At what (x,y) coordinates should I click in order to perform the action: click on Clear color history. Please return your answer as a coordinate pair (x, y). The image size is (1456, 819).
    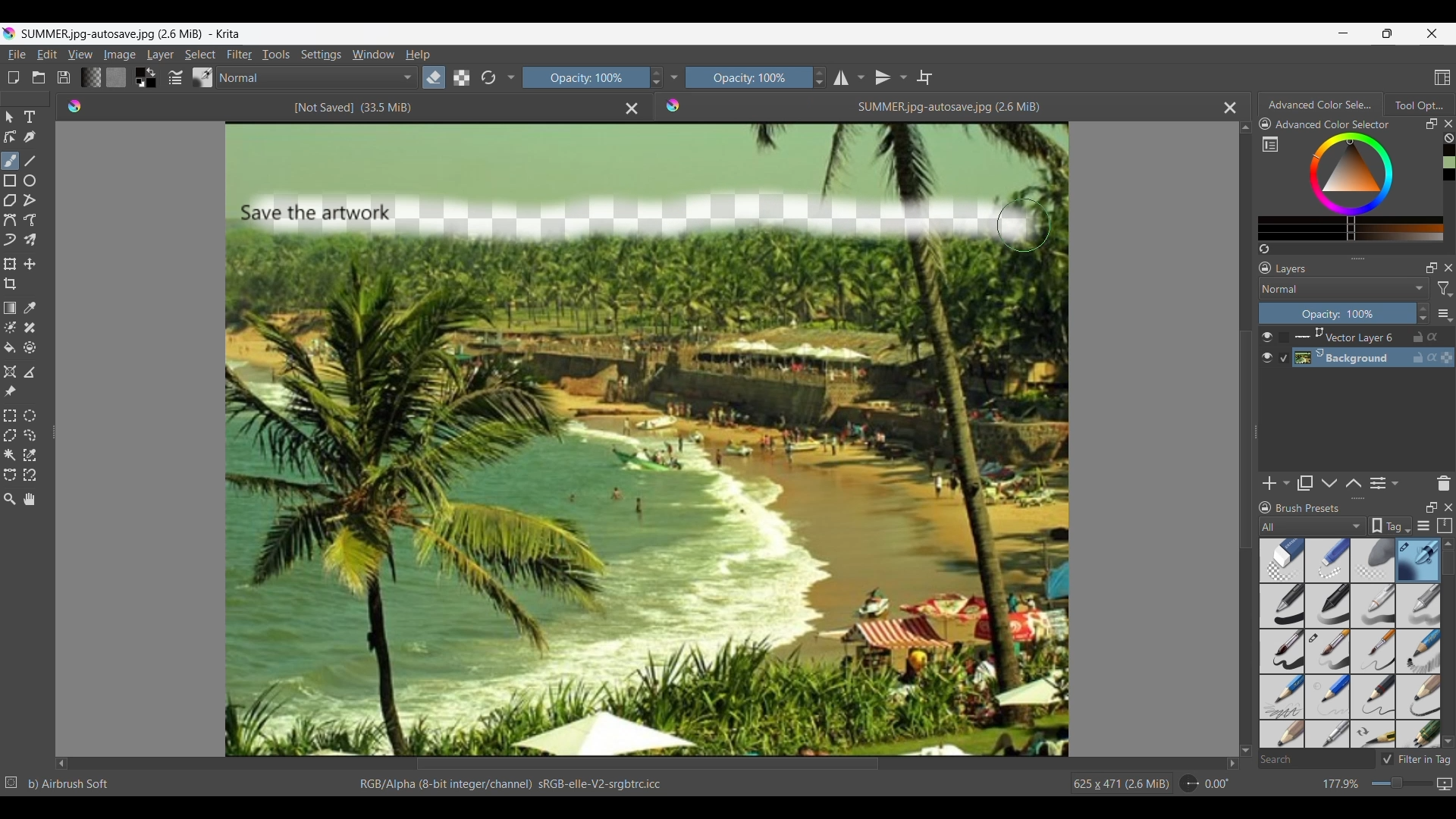
    Looking at the image, I should click on (1448, 138).